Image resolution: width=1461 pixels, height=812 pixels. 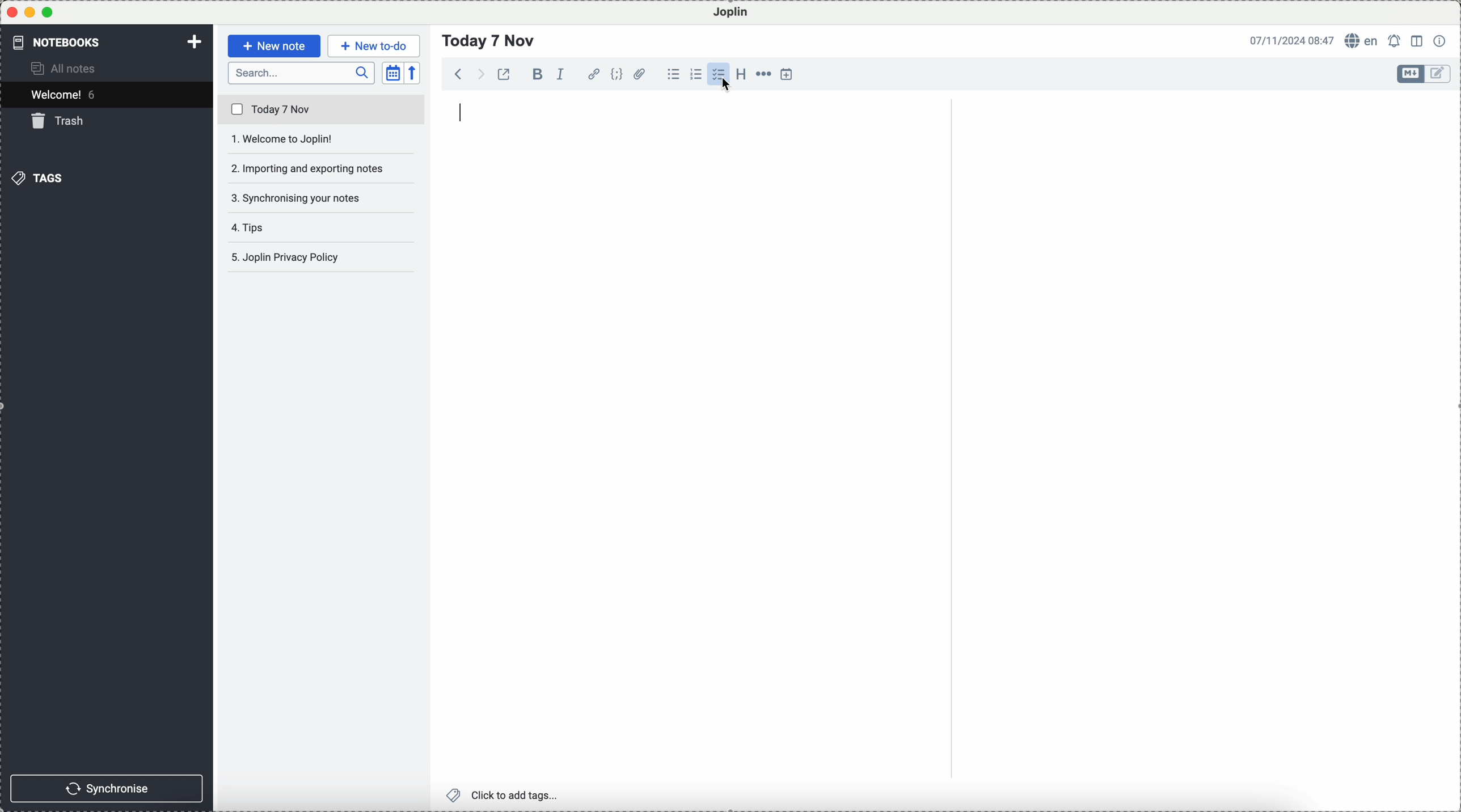 I want to click on toggle editors, so click(x=1439, y=74).